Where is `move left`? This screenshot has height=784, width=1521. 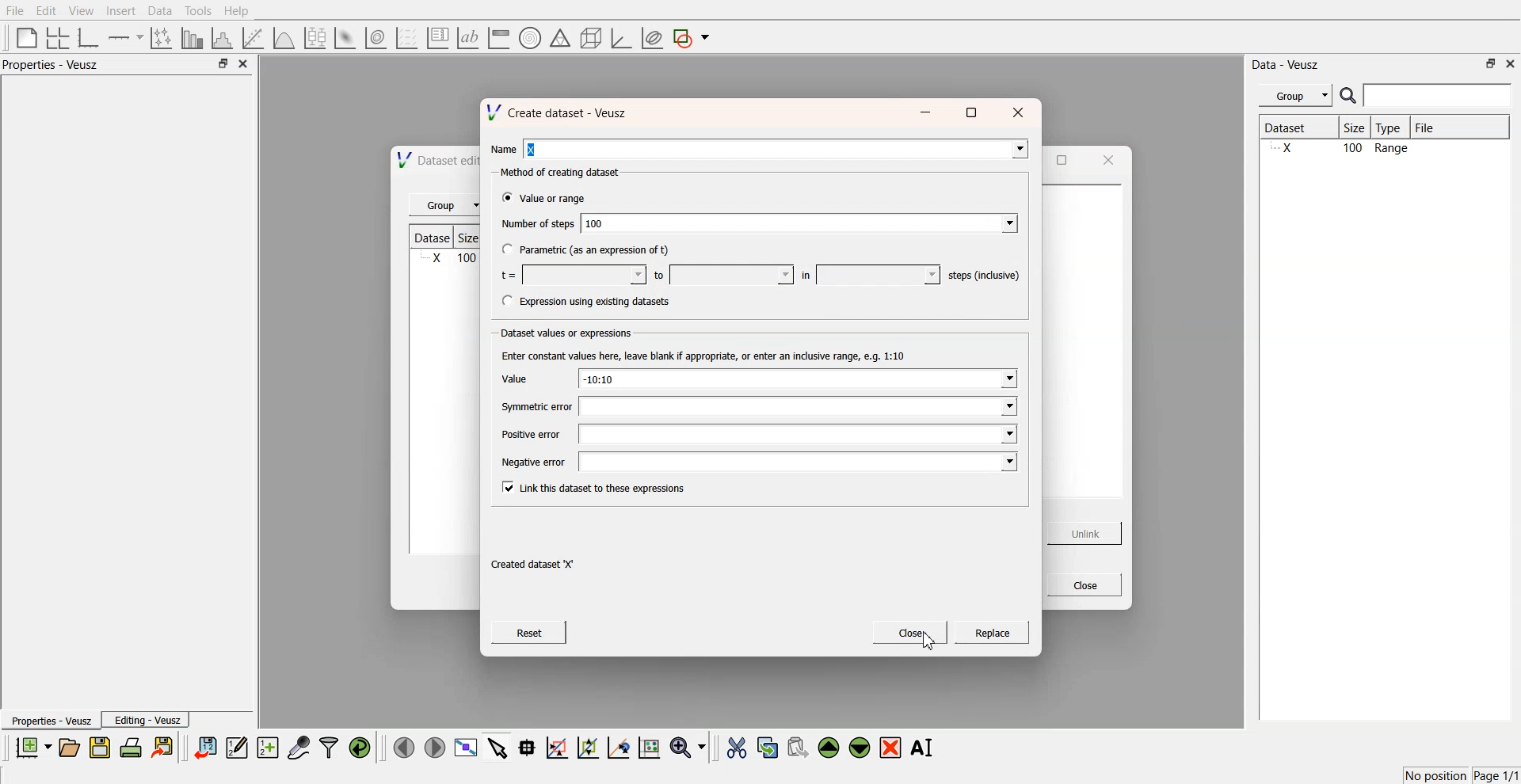 move left is located at coordinates (404, 747).